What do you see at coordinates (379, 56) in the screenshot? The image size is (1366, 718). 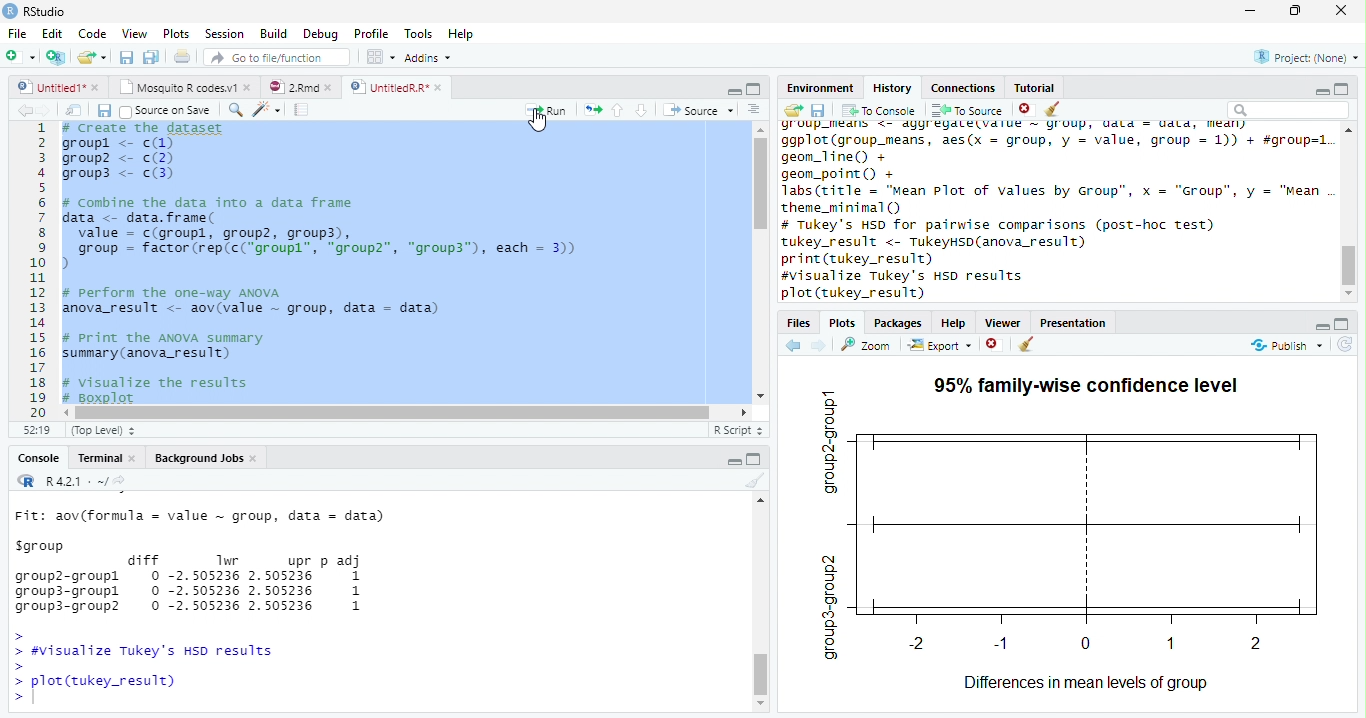 I see `Workspace pane` at bounding box center [379, 56].